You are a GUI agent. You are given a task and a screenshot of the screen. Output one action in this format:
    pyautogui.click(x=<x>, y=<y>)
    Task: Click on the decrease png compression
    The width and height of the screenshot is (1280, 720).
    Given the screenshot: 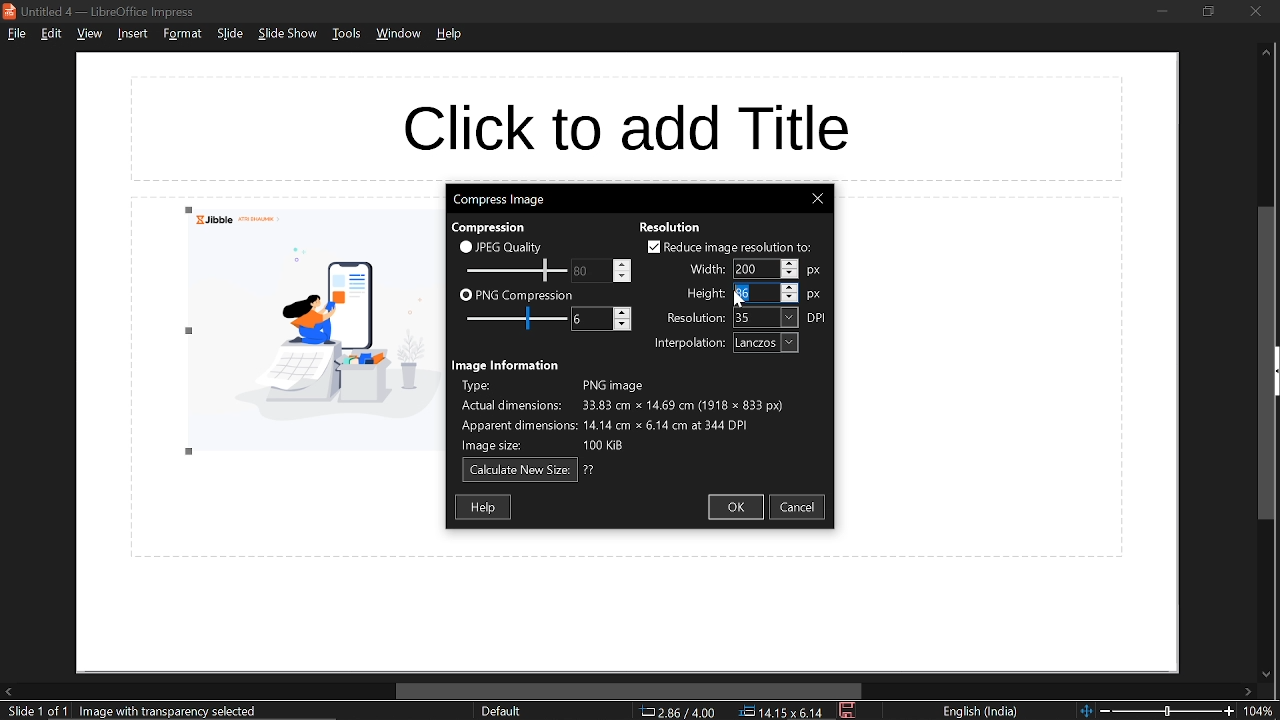 What is the action you would take?
    pyautogui.click(x=622, y=326)
    